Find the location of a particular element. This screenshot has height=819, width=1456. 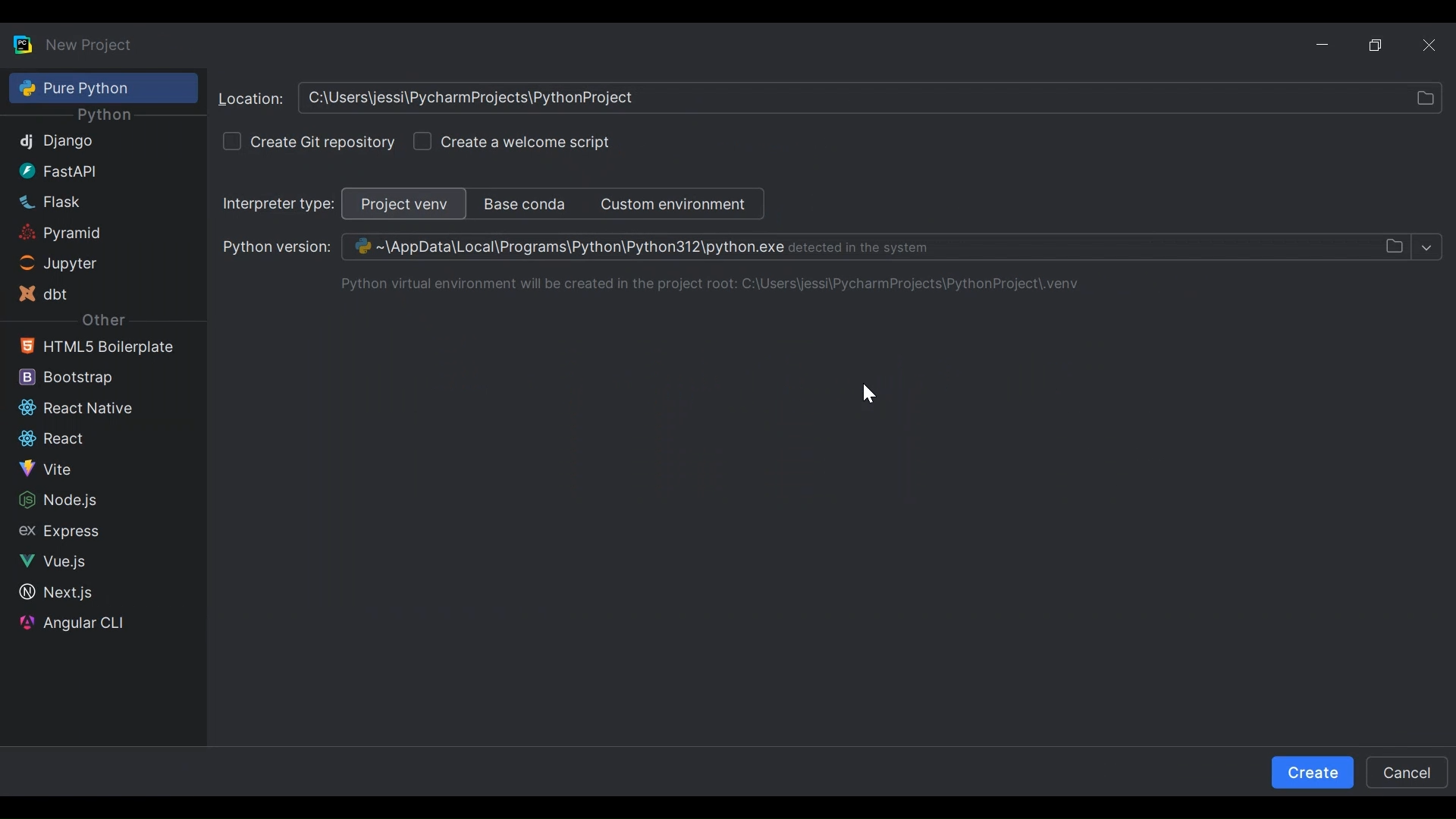

 is located at coordinates (97, 532).